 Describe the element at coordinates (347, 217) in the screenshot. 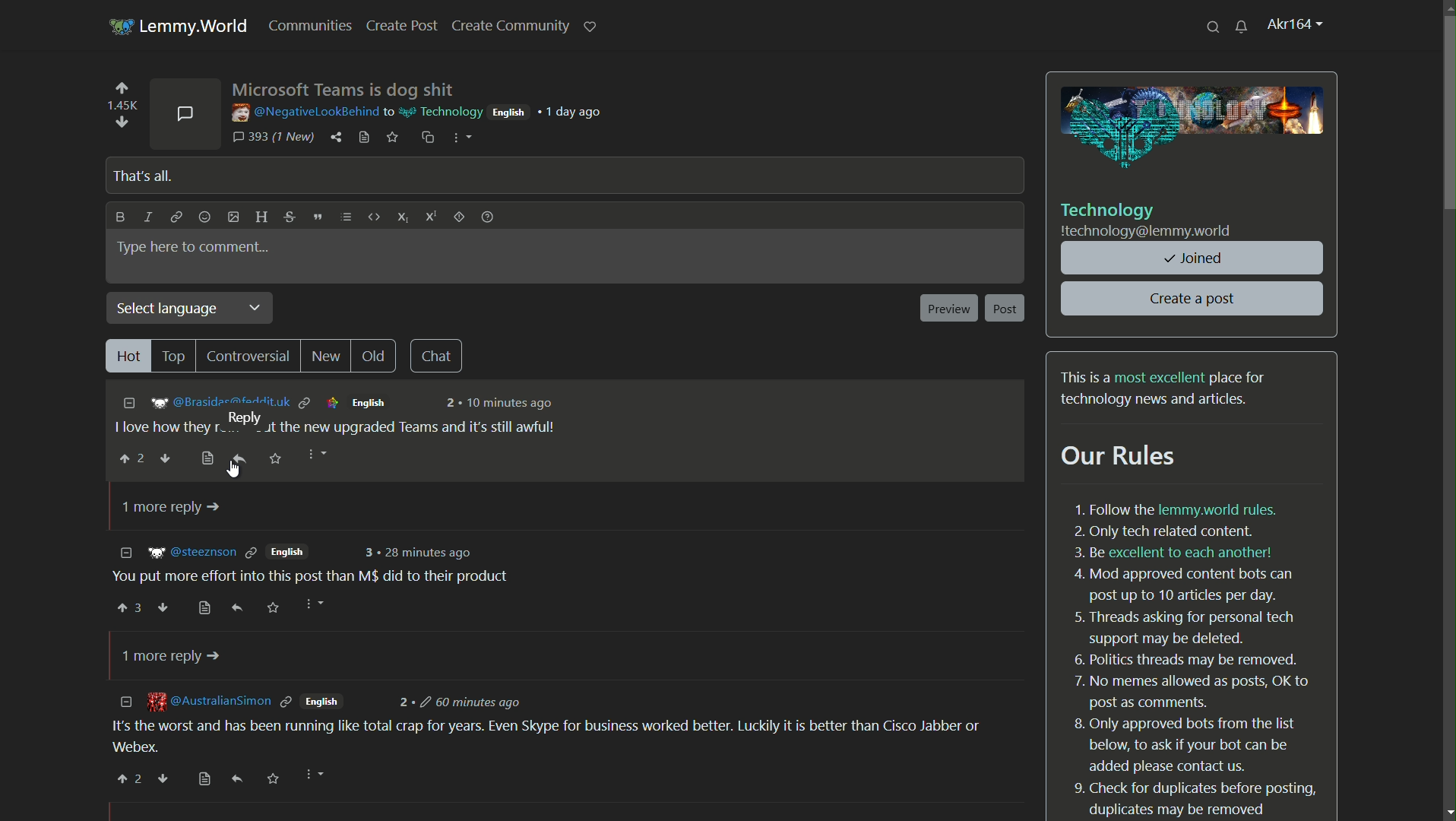

I see `list` at that location.